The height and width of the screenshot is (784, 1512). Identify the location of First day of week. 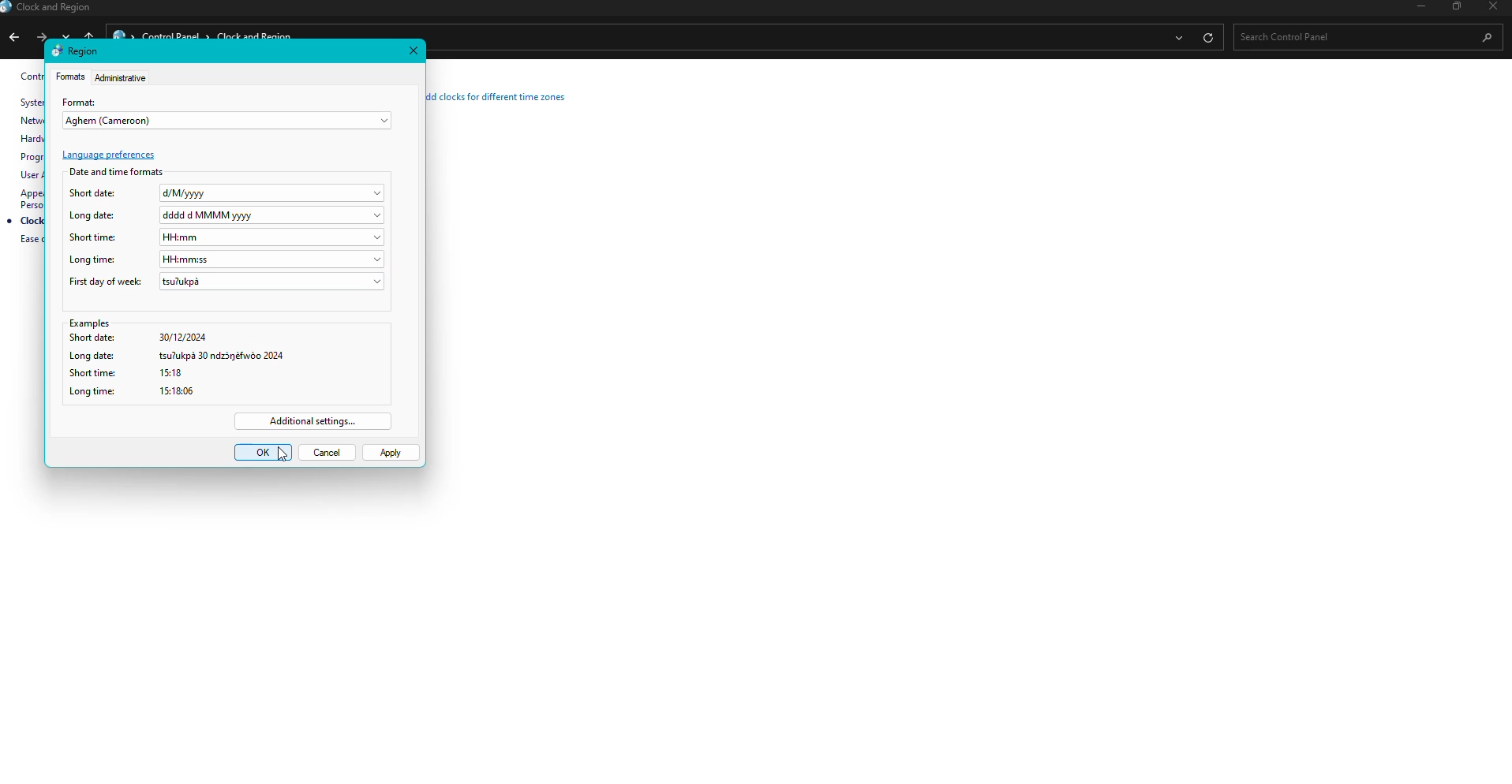
(226, 282).